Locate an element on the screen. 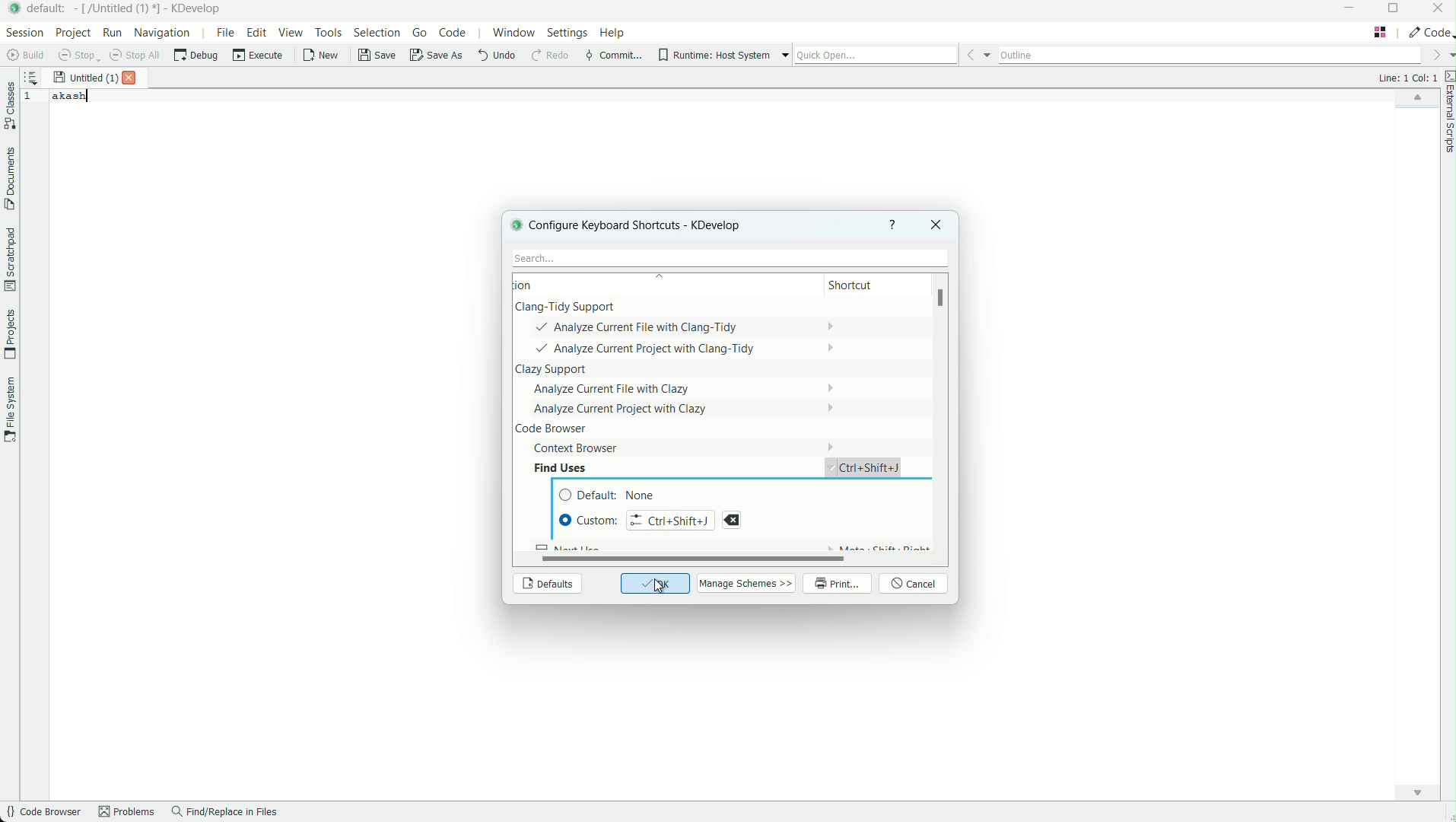 The height and width of the screenshot is (822, 1456). cursor is located at coordinates (659, 585).